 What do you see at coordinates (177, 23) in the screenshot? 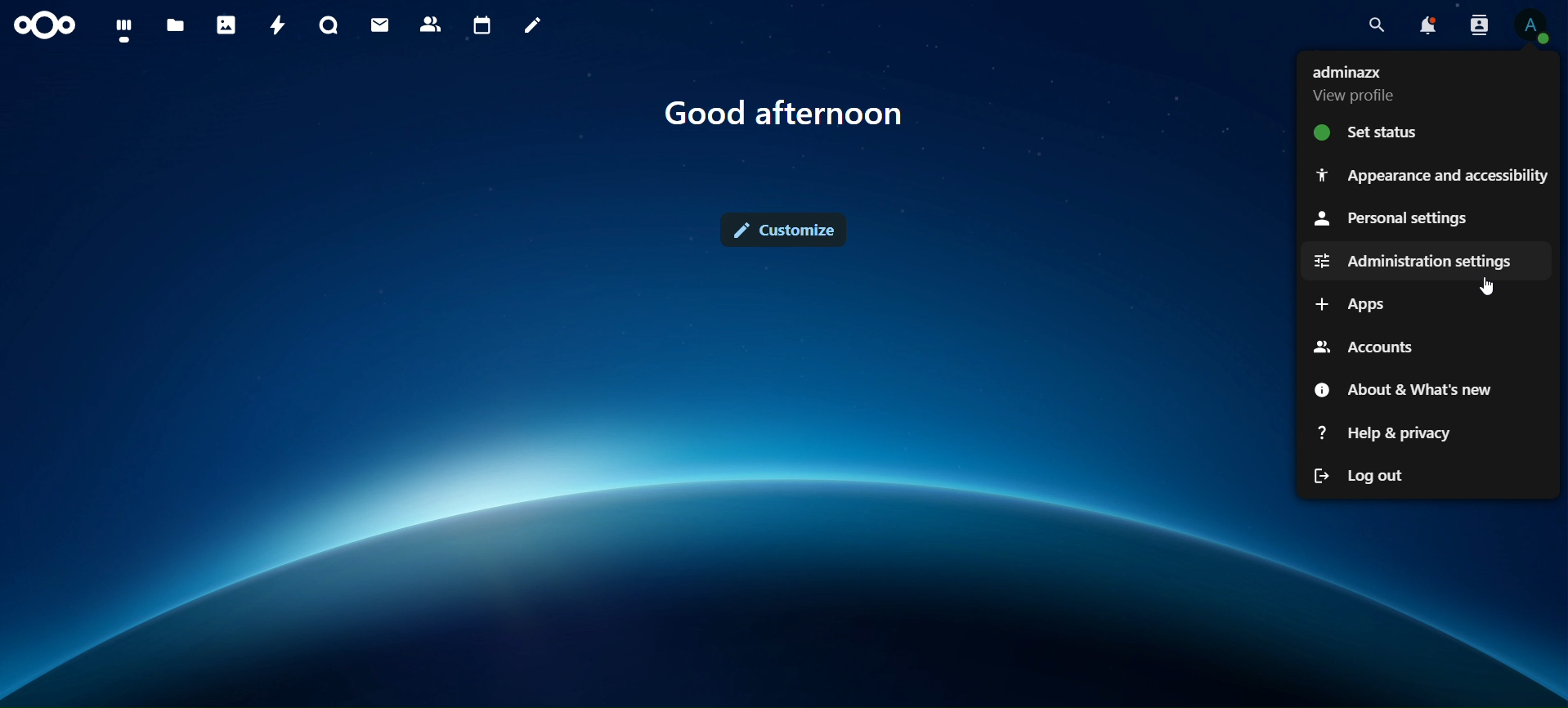
I see `files` at bounding box center [177, 23].